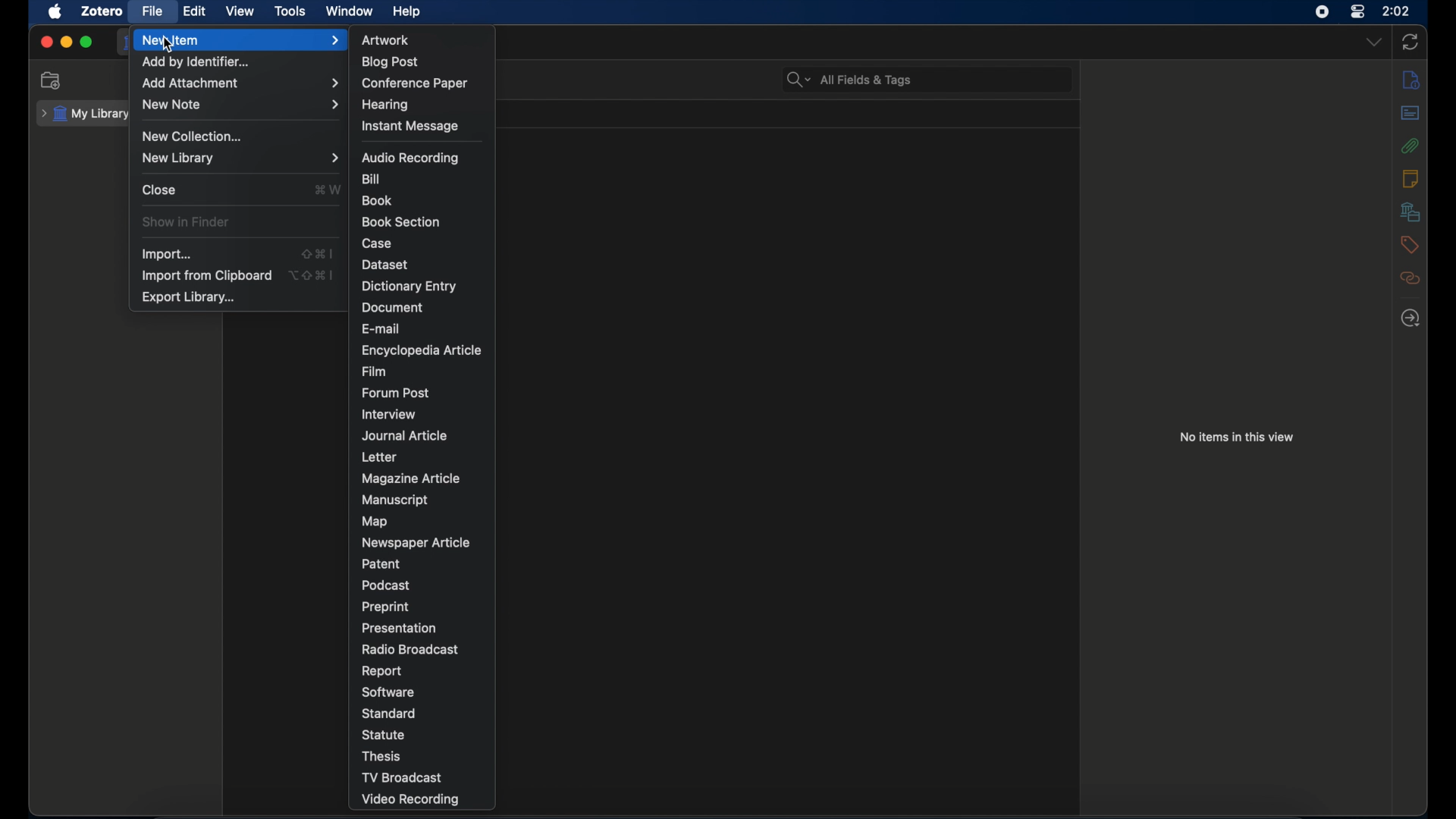 The image size is (1456, 819). I want to click on map, so click(375, 522).